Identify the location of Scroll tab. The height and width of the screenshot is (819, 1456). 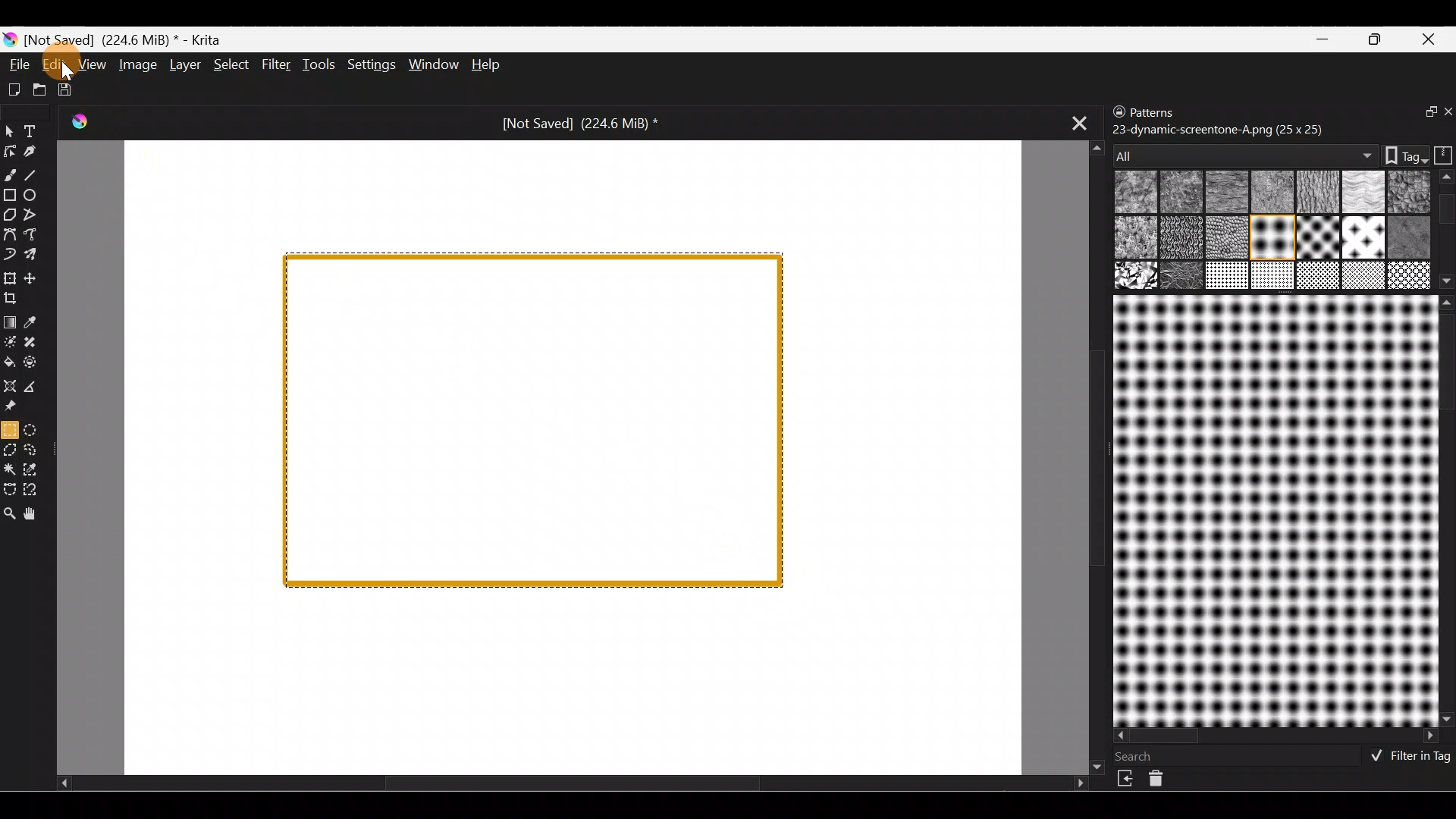
(1090, 455).